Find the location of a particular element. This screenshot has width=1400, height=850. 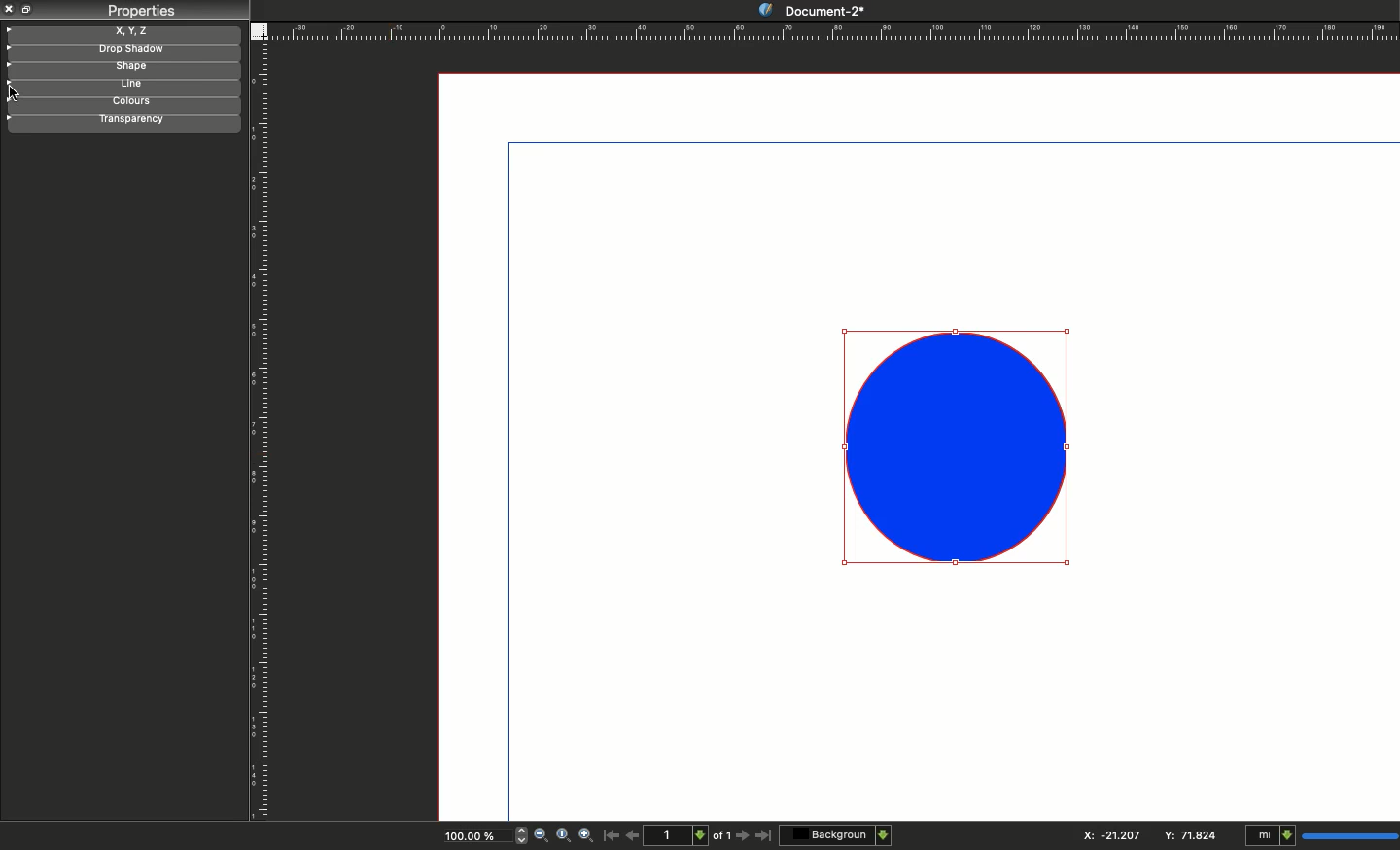

X: 115.544 is located at coordinates (1105, 835).